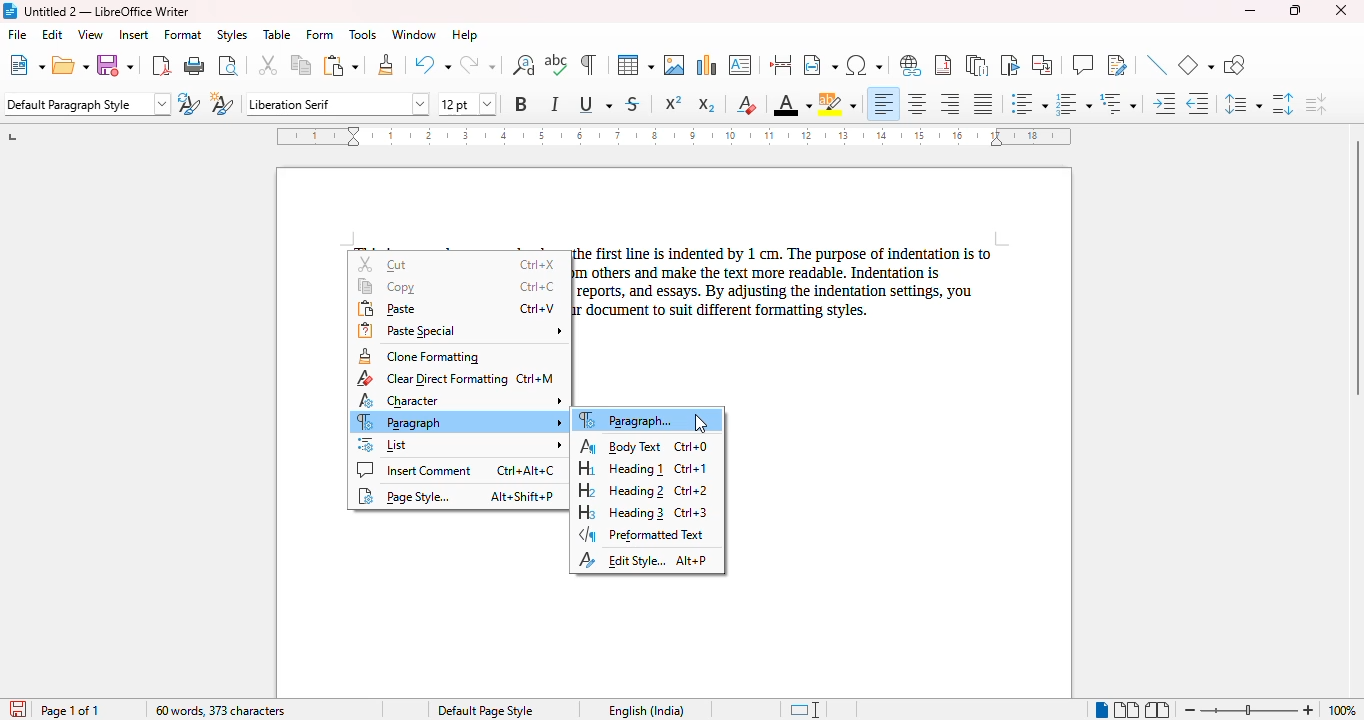 This screenshot has height=720, width=1364. Describe the element at coordinates (419, 356) in the screenshot. I see `clone formatting` at that location.